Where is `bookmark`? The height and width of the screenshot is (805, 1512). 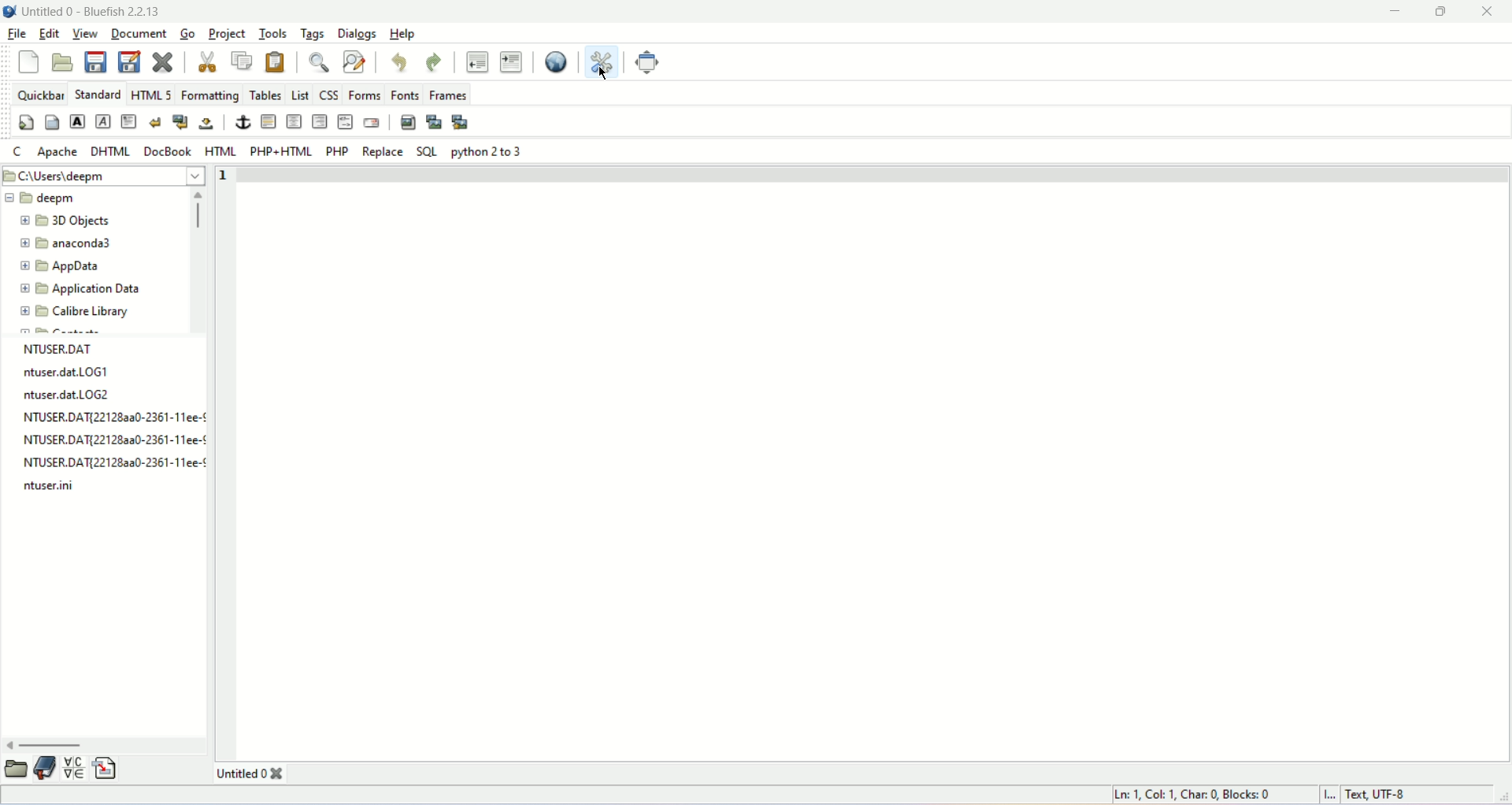
bookmark is located at coordinates (44, 770).